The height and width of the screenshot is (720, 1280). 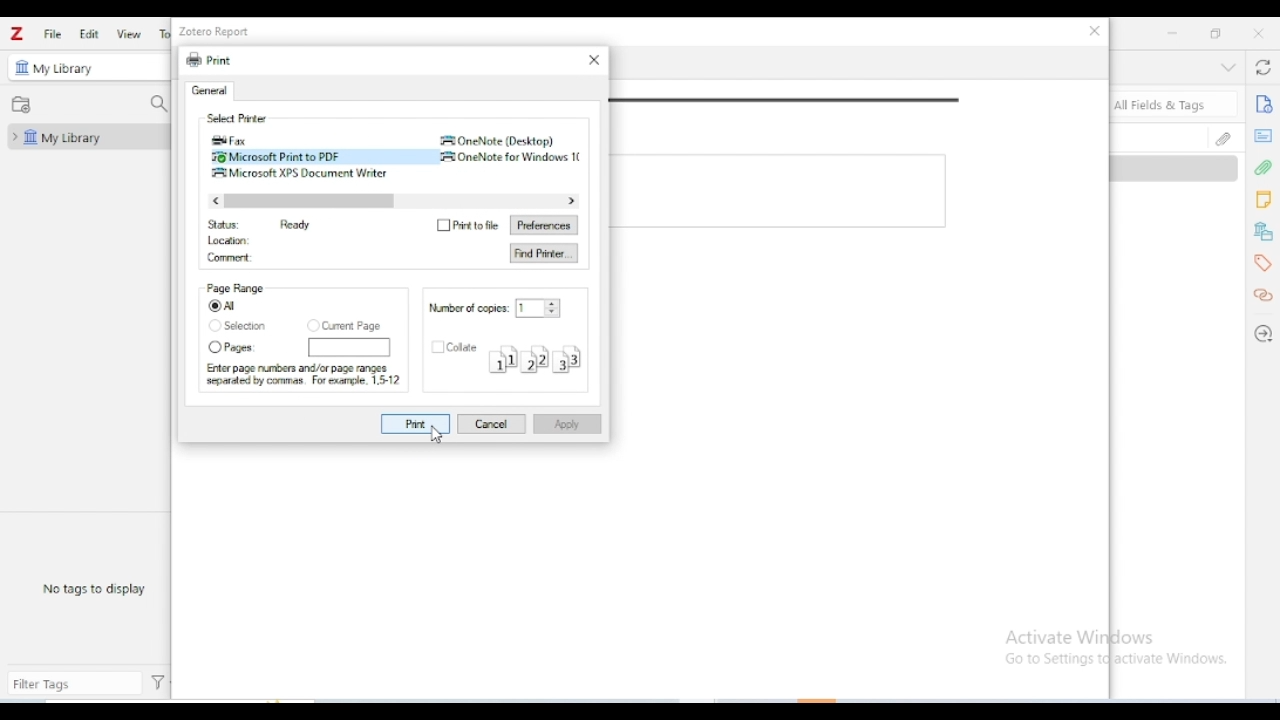 I want to click on print to file, so click(x=477, y=225).